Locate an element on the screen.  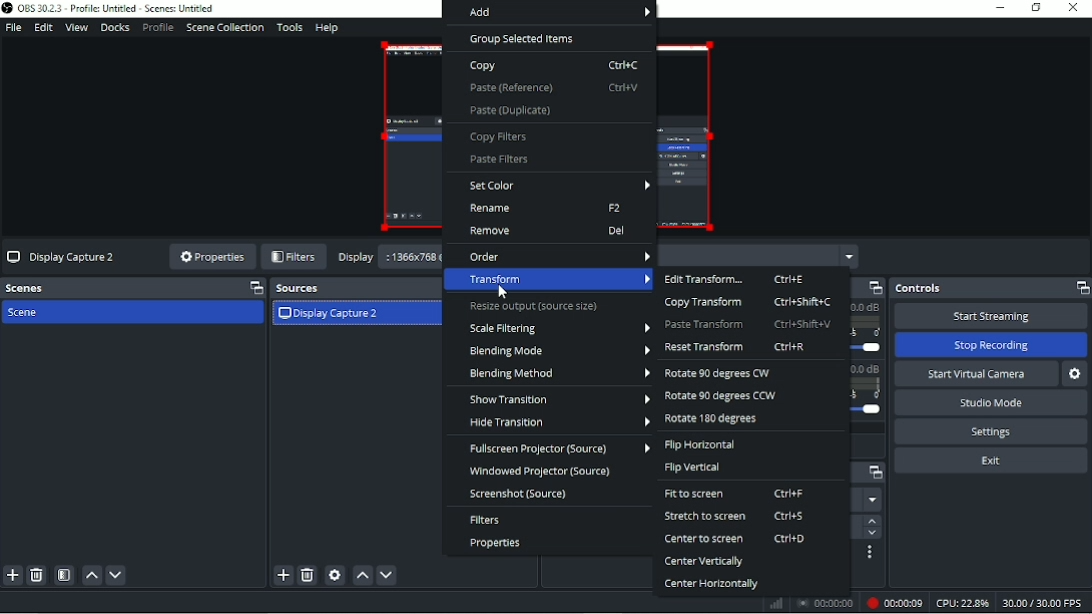
Filters is located at coordinates (294, 257).